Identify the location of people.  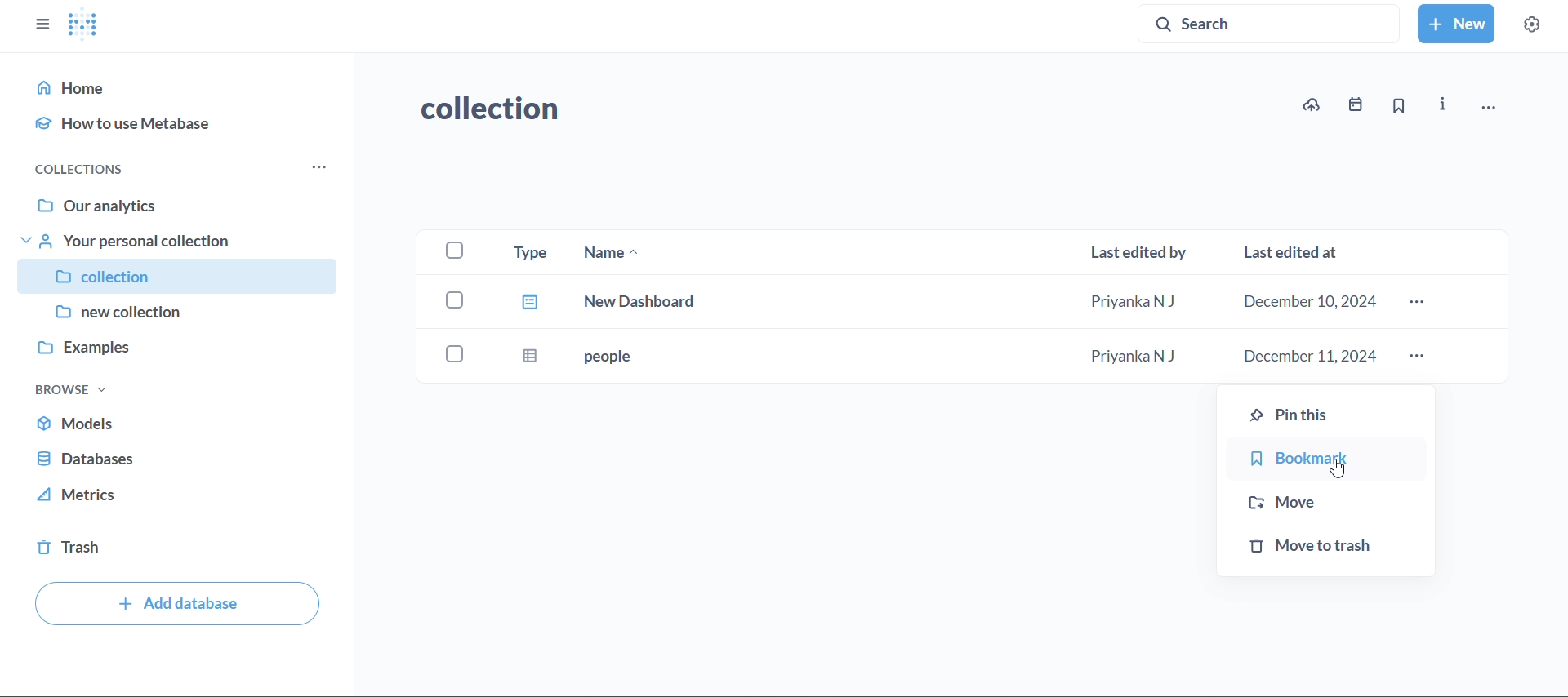
(616, 357).